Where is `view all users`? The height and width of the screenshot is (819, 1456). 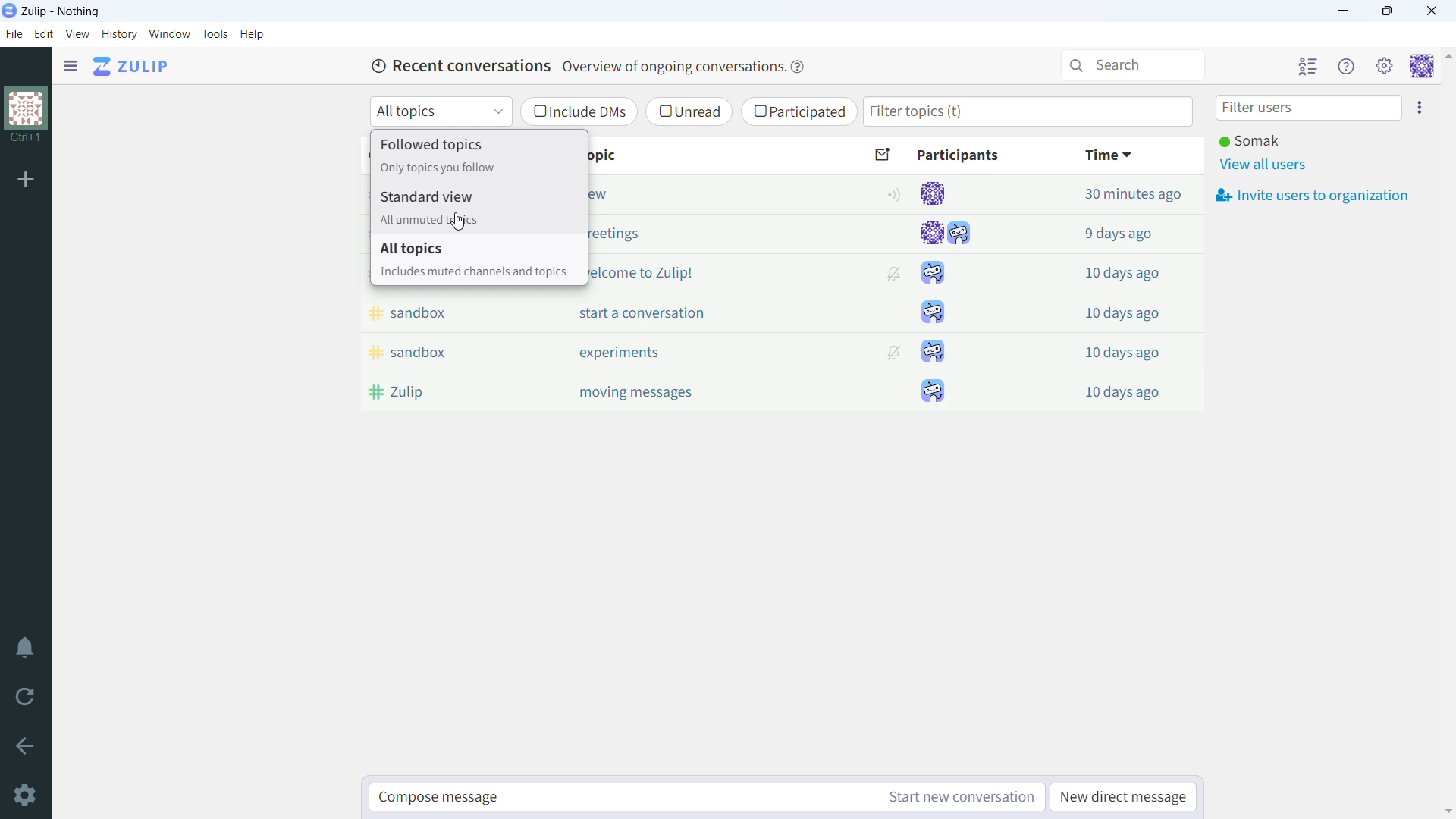 view all users is located at coordinates (1265, 165).